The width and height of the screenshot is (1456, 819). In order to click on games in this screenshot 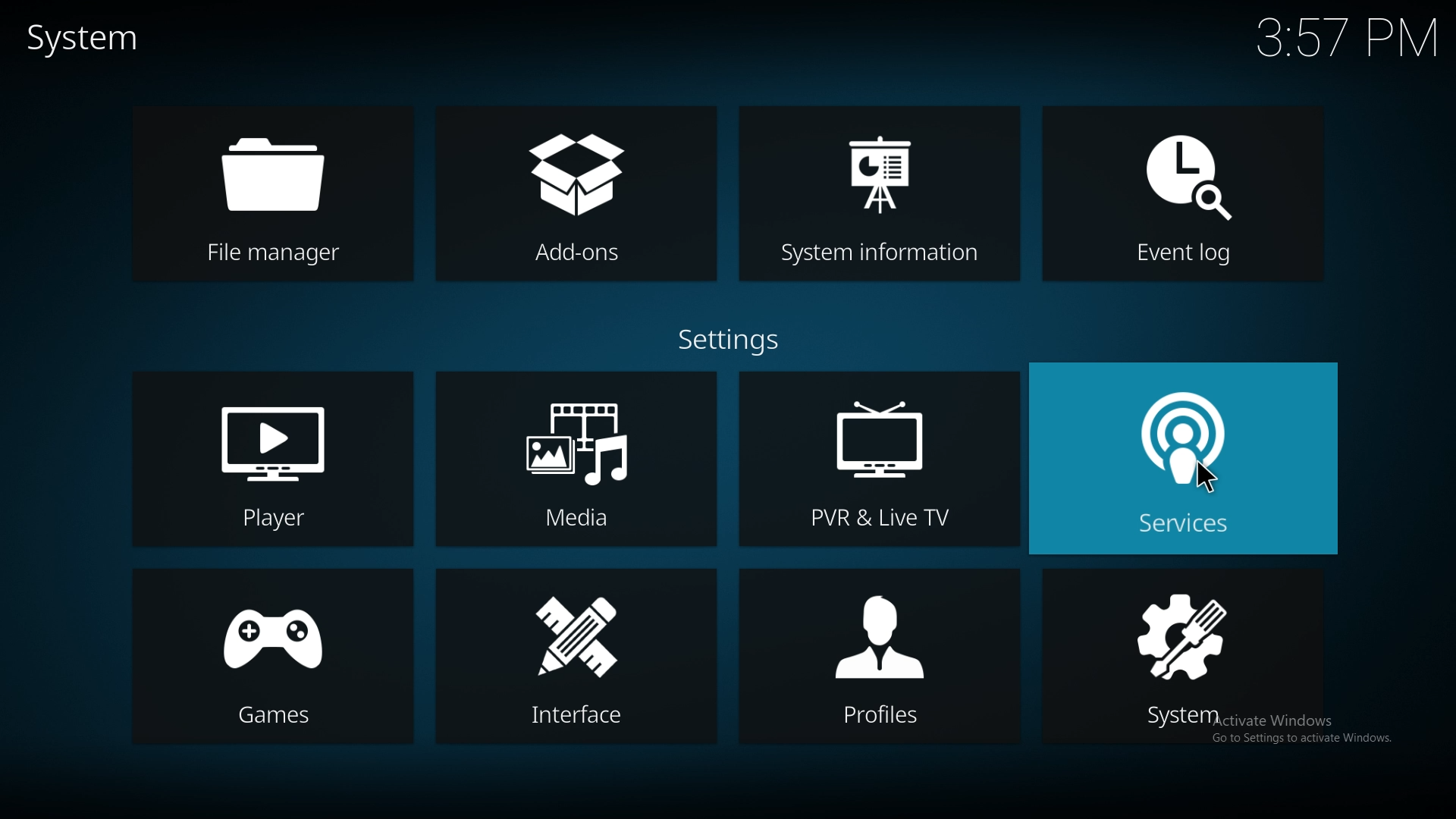, I will do `click(271, 654)`.